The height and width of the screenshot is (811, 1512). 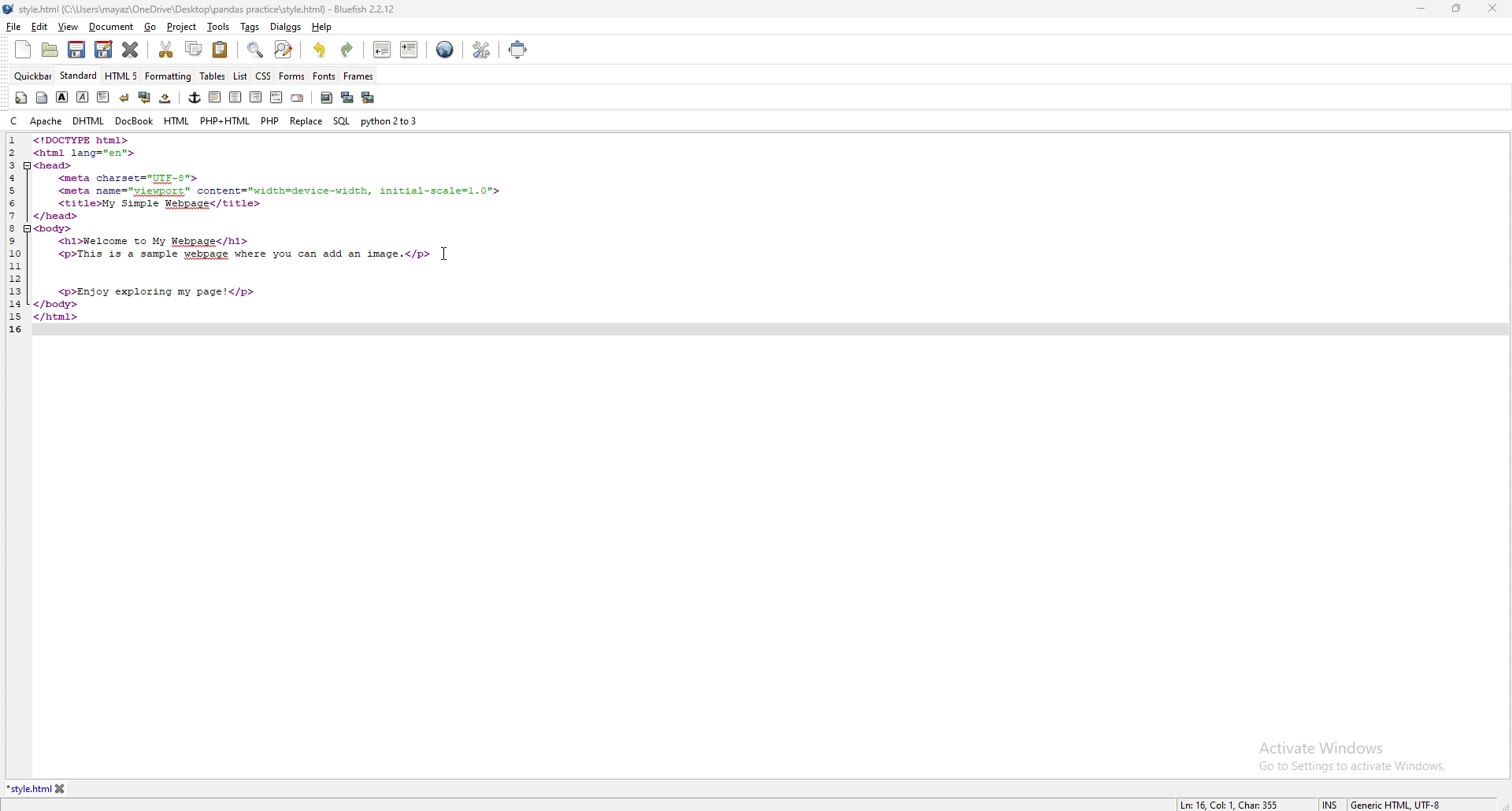 What do you see at coordinates (158, 292) in the screenshot?
I see `<p>Enjoy exploring my page!</p>` at bounding box center [158, 292].